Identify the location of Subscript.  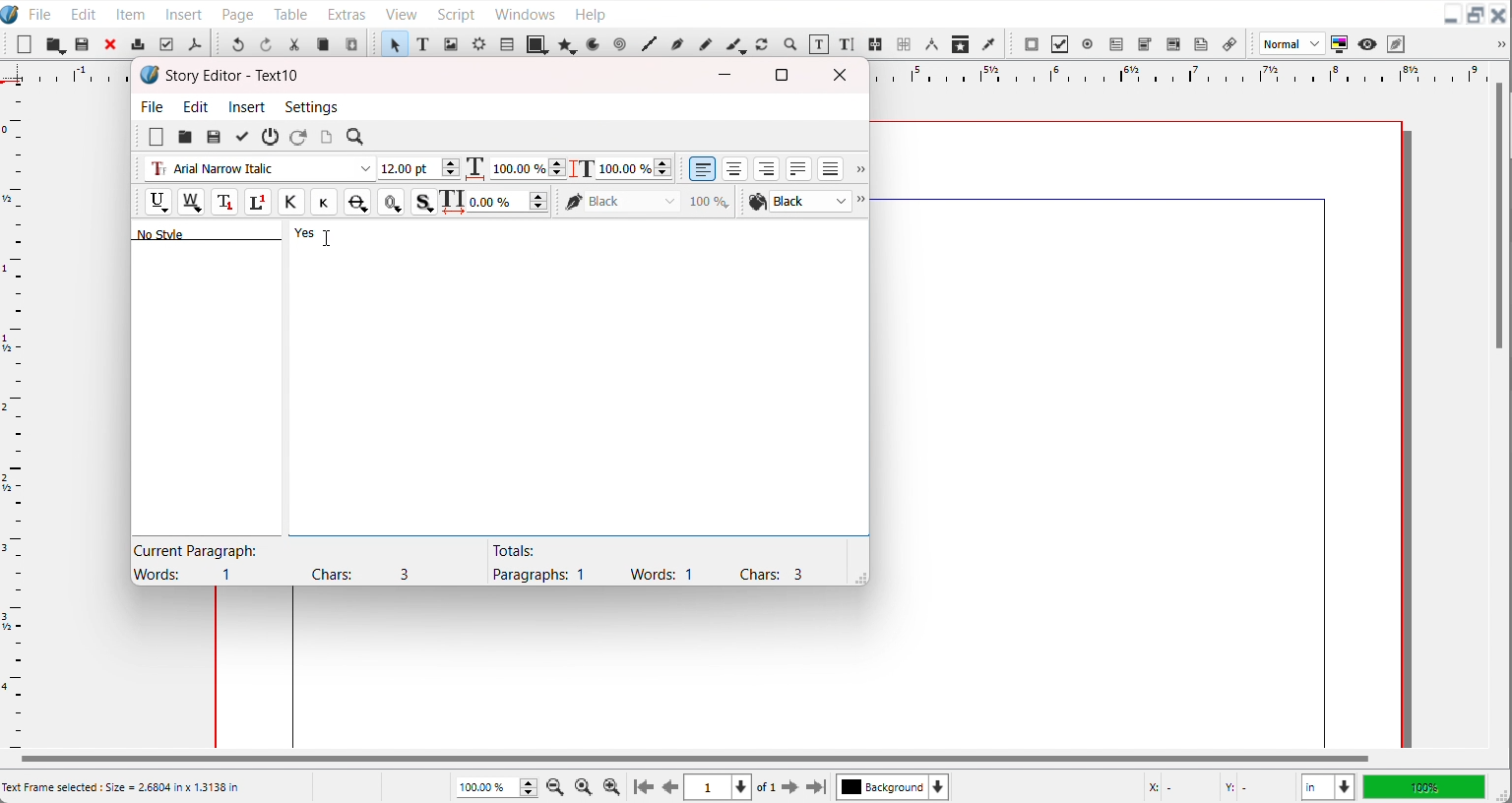
(224, 202).